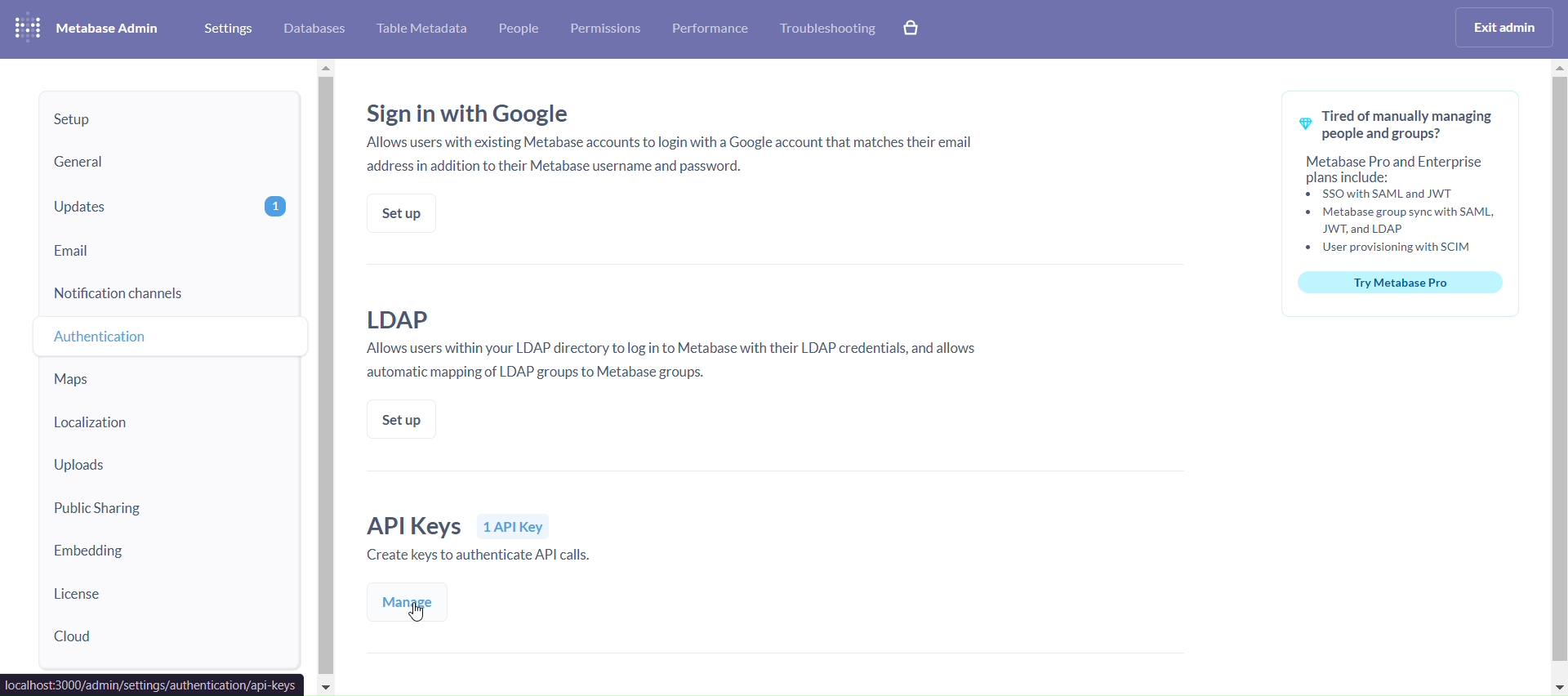 The height and width of the screenshot is (696, 1568). I want to click on updates, so click(170, 207).